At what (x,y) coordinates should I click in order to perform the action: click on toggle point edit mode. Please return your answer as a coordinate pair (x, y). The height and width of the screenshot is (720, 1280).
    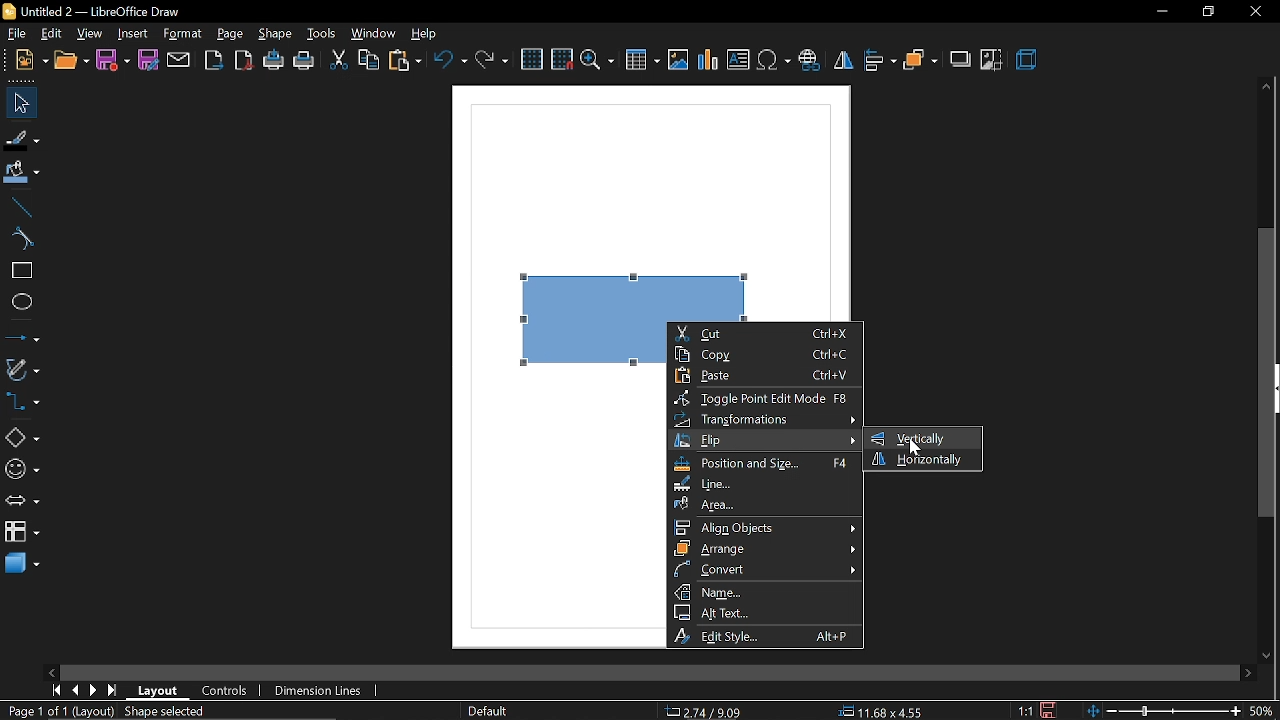
    Looking at the image, I should click on (766, 398).